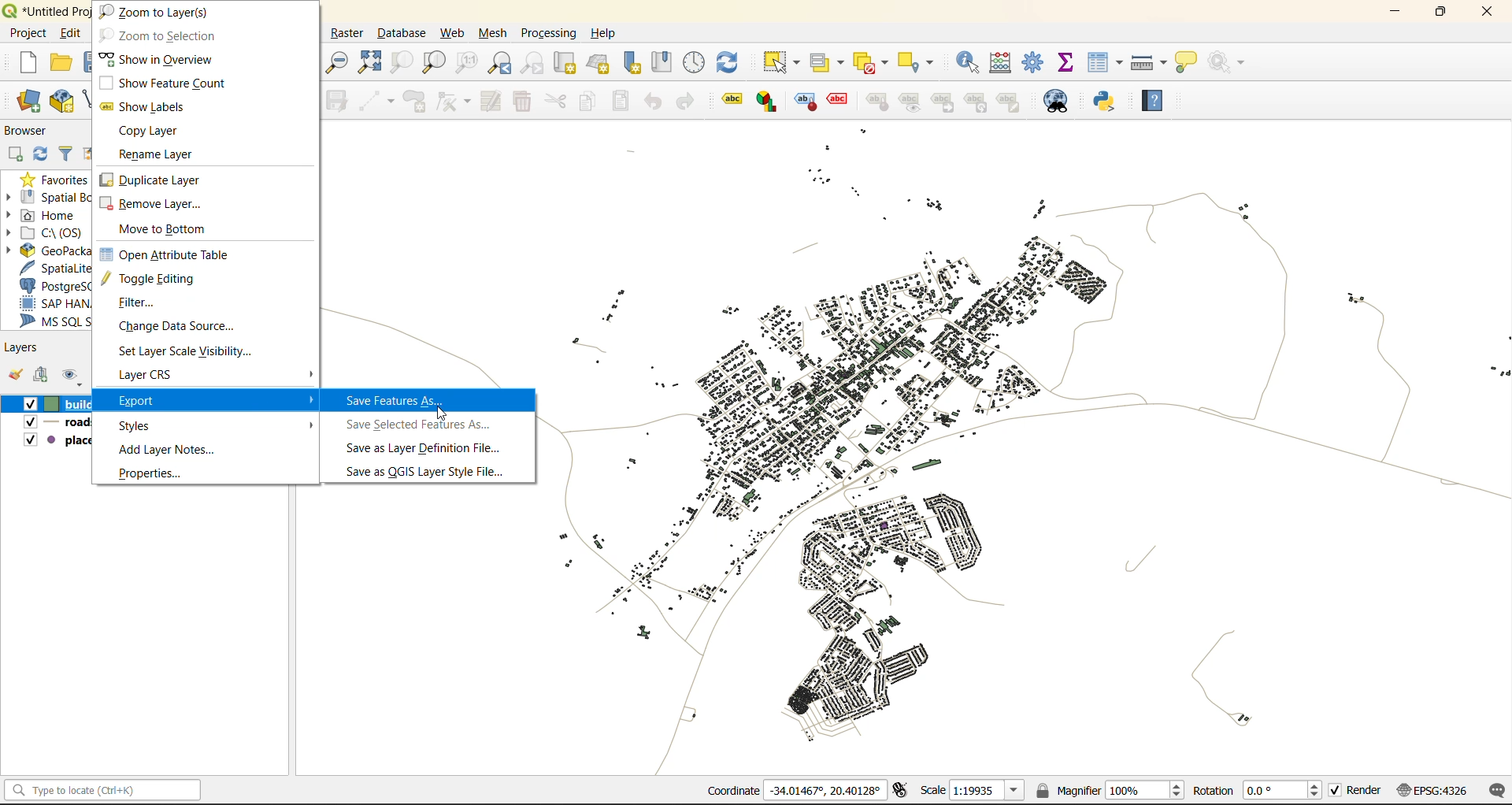 The image size is (1512, 805). What do you see at coordinates (603, 32) in the screenshot?
I see `help` at bounding box center [603, 32].